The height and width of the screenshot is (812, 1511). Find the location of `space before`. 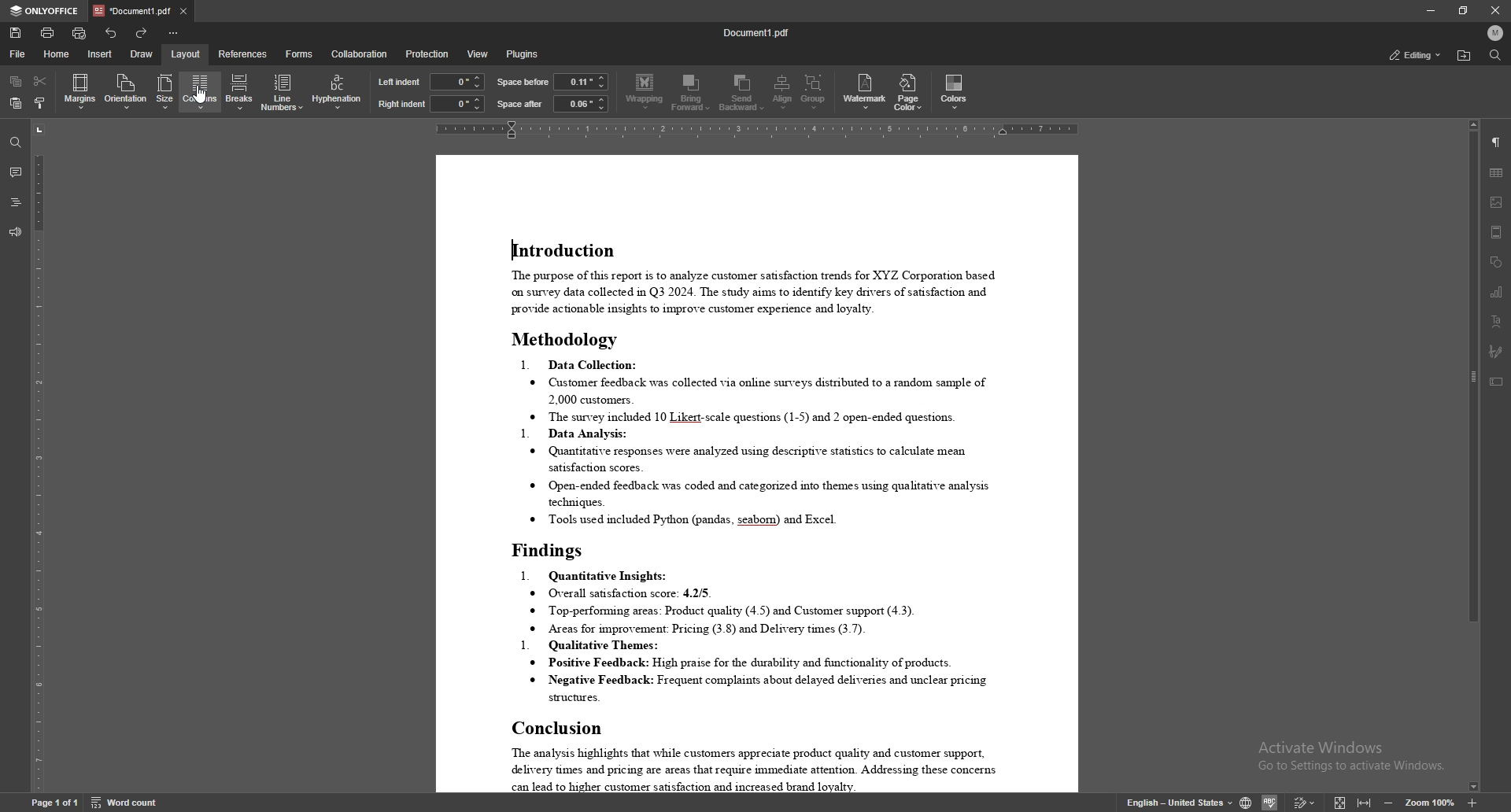

space before is located at coordinates (524, 82).